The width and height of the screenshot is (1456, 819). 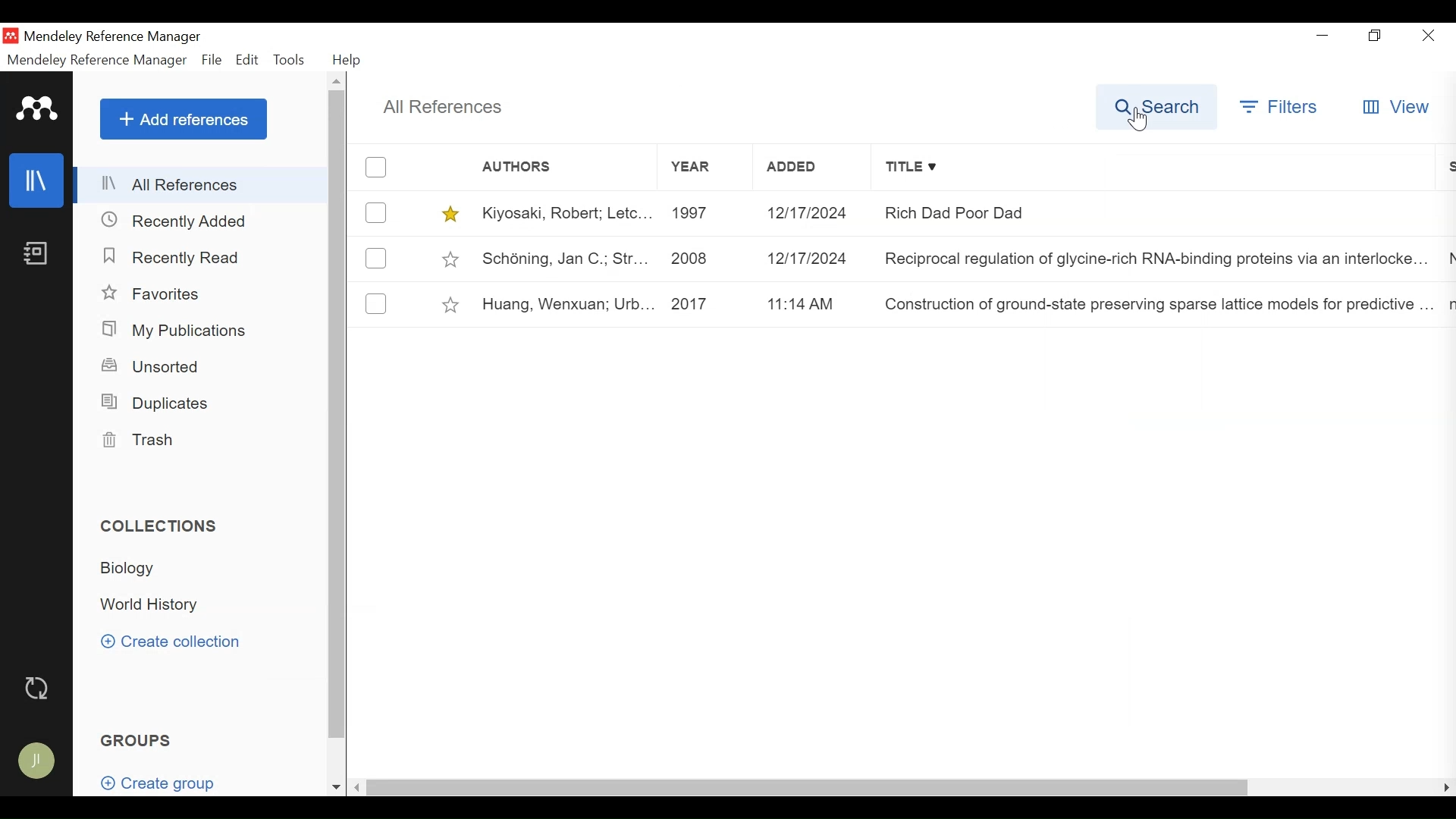 I want to click on Duplicates, so click(x=158, y=401).